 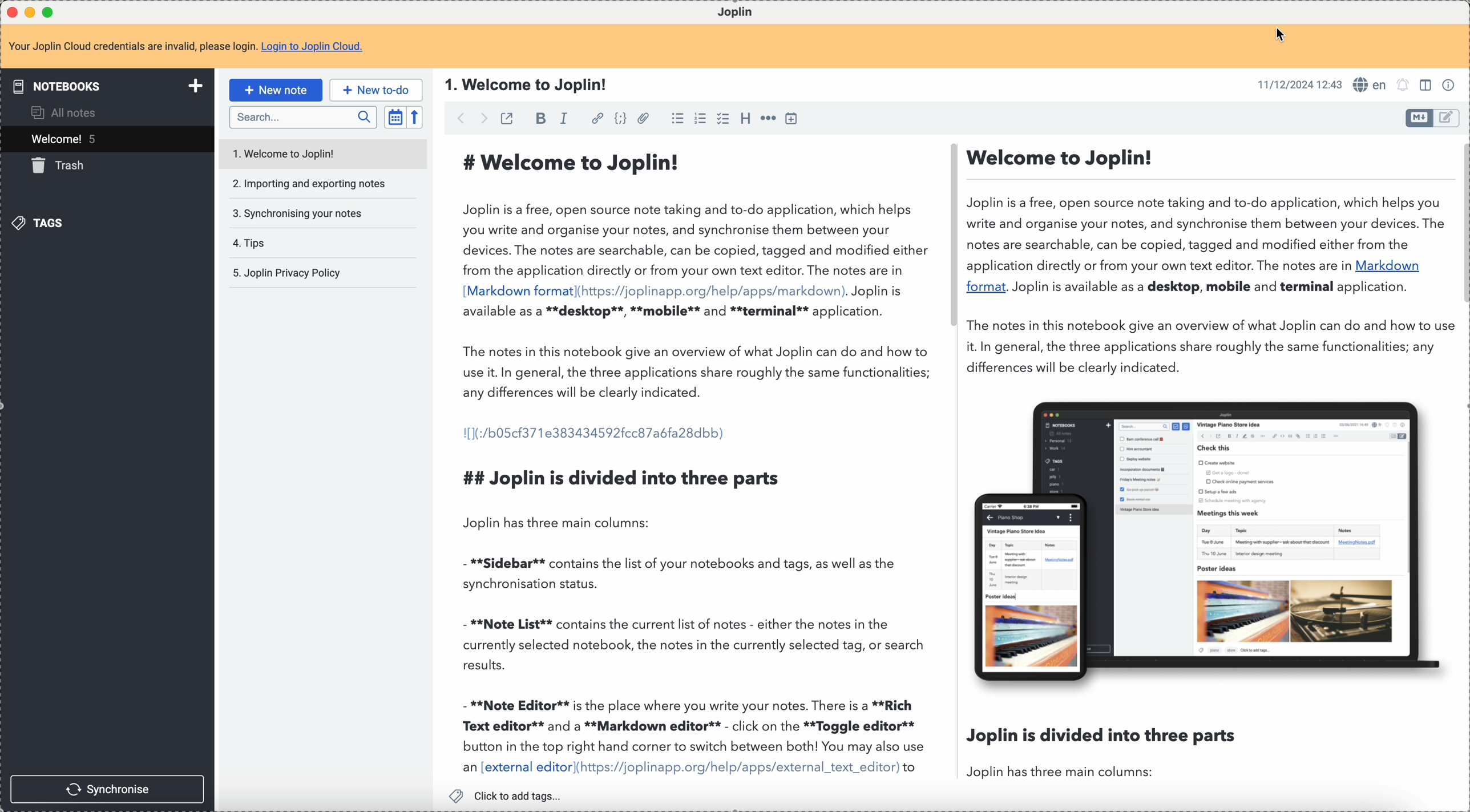 What do you see at coordinates (375, 91) in the screenshot?
I see `new to-do` at bounding box center [375, 91].